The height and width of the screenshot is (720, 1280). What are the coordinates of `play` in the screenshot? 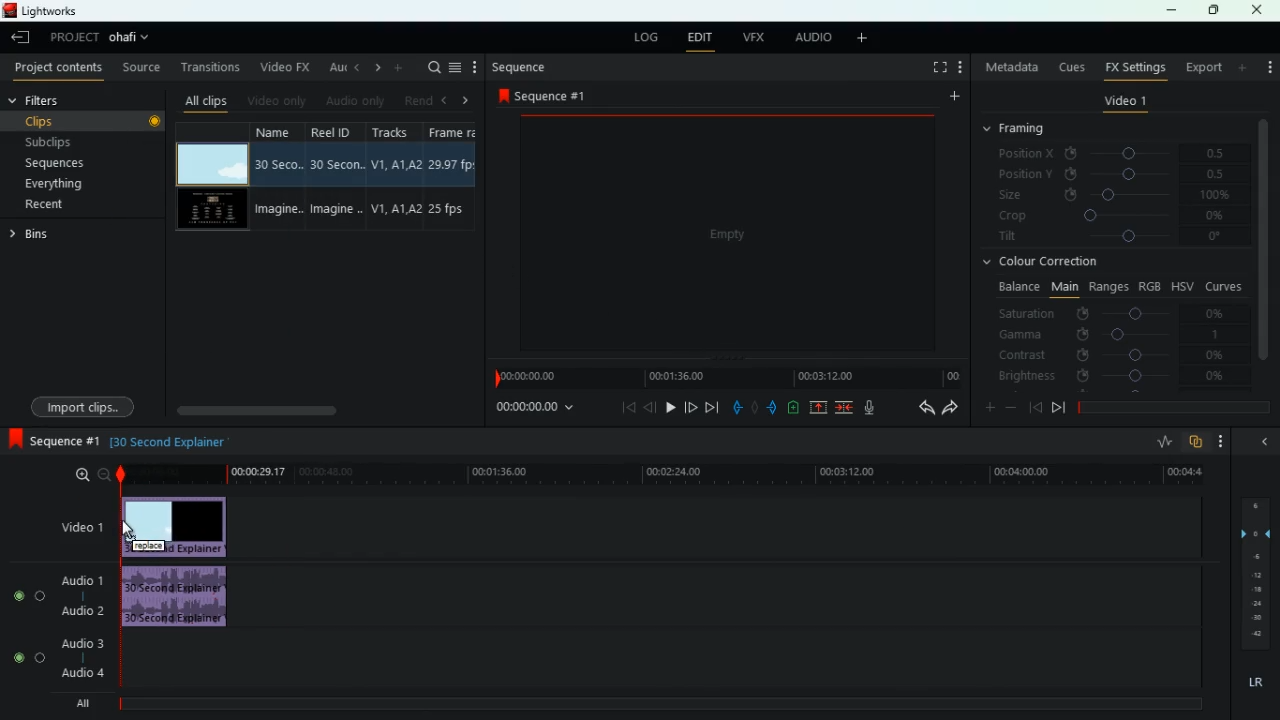 It's located at (667, 407).